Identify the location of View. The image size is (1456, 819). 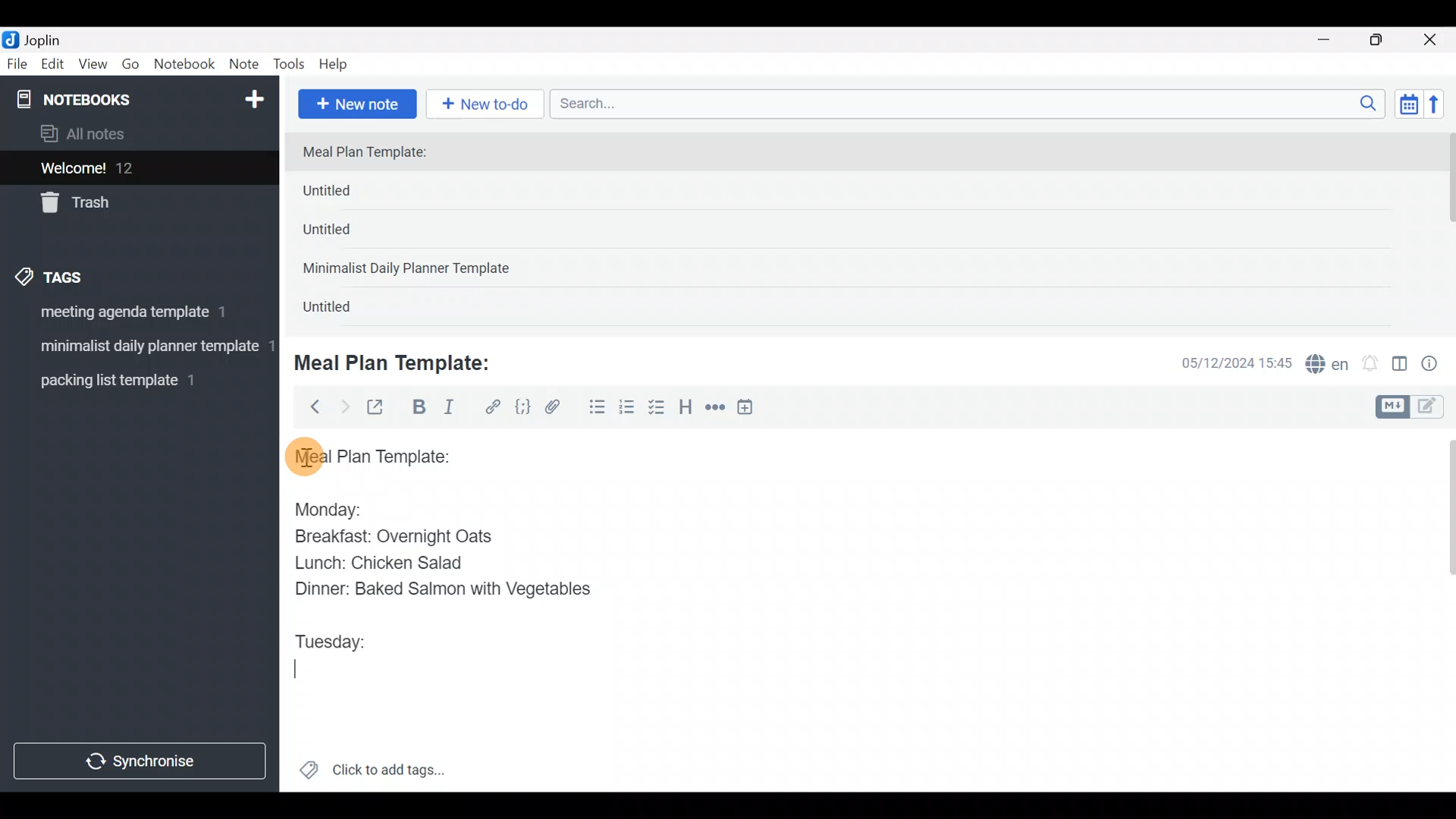
(93, 67).